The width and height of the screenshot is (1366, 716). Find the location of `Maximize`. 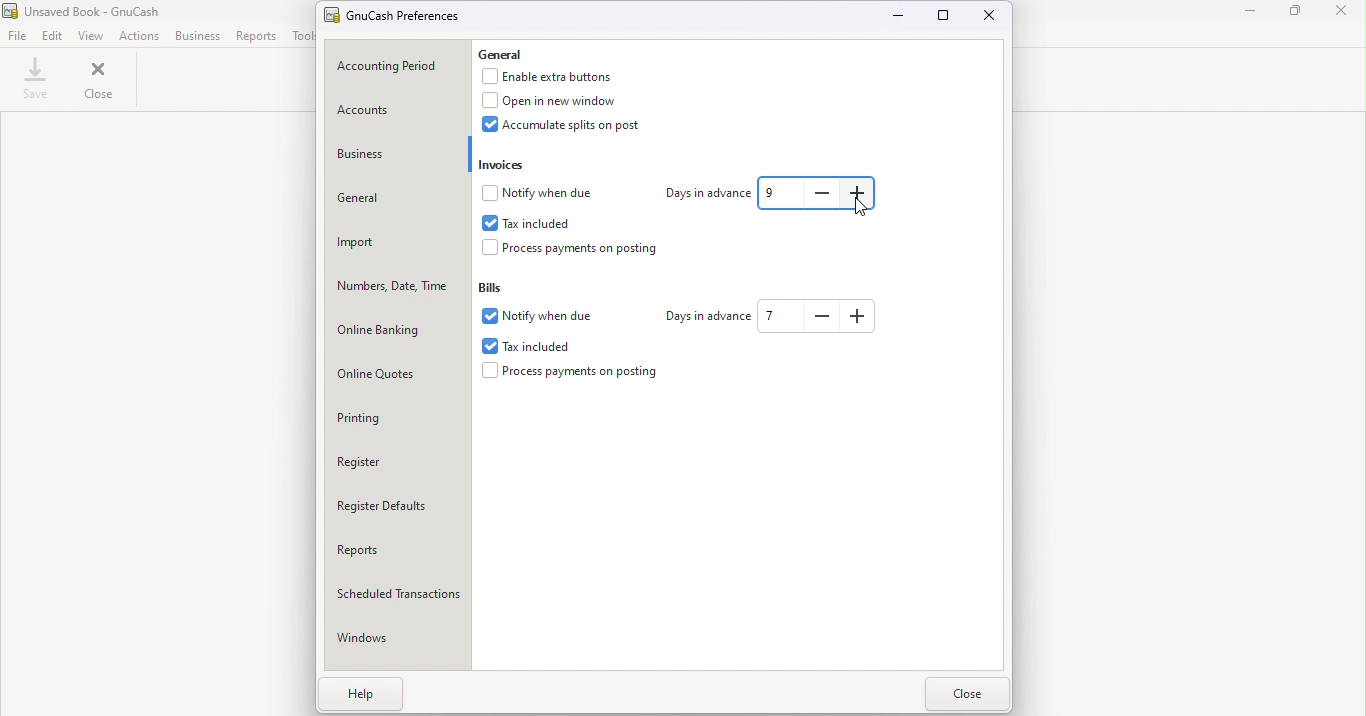

Maximize is located at coordinates (1296, 15).